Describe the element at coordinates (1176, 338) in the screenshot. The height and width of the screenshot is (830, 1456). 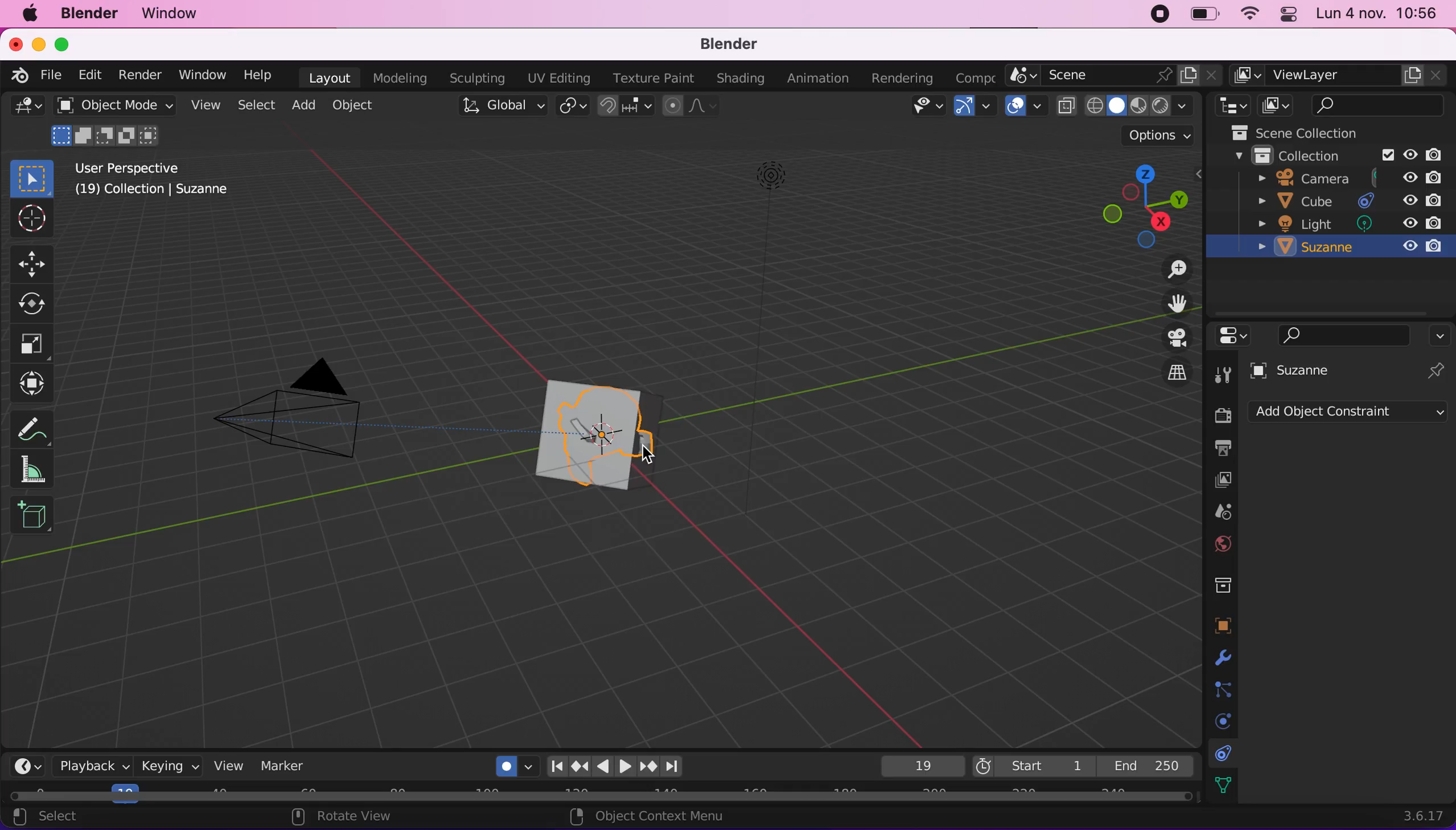
I see `toggle the view` at that location.